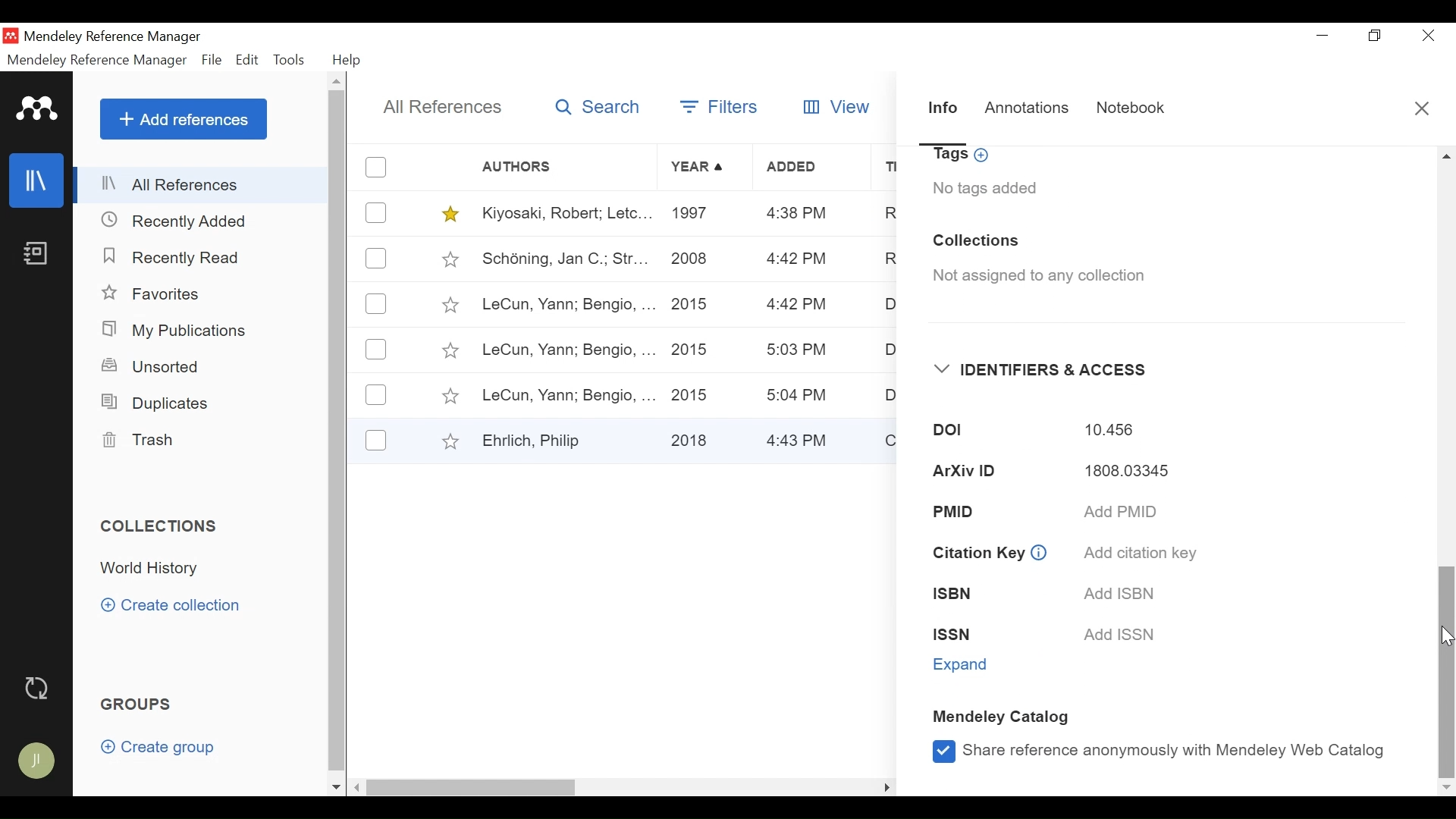 This screenshot has width=1456, height=819. What do you see at coordinates (799, 395) in the screenshot?
I see `5:04 PM` at bounding box center [799, 395].